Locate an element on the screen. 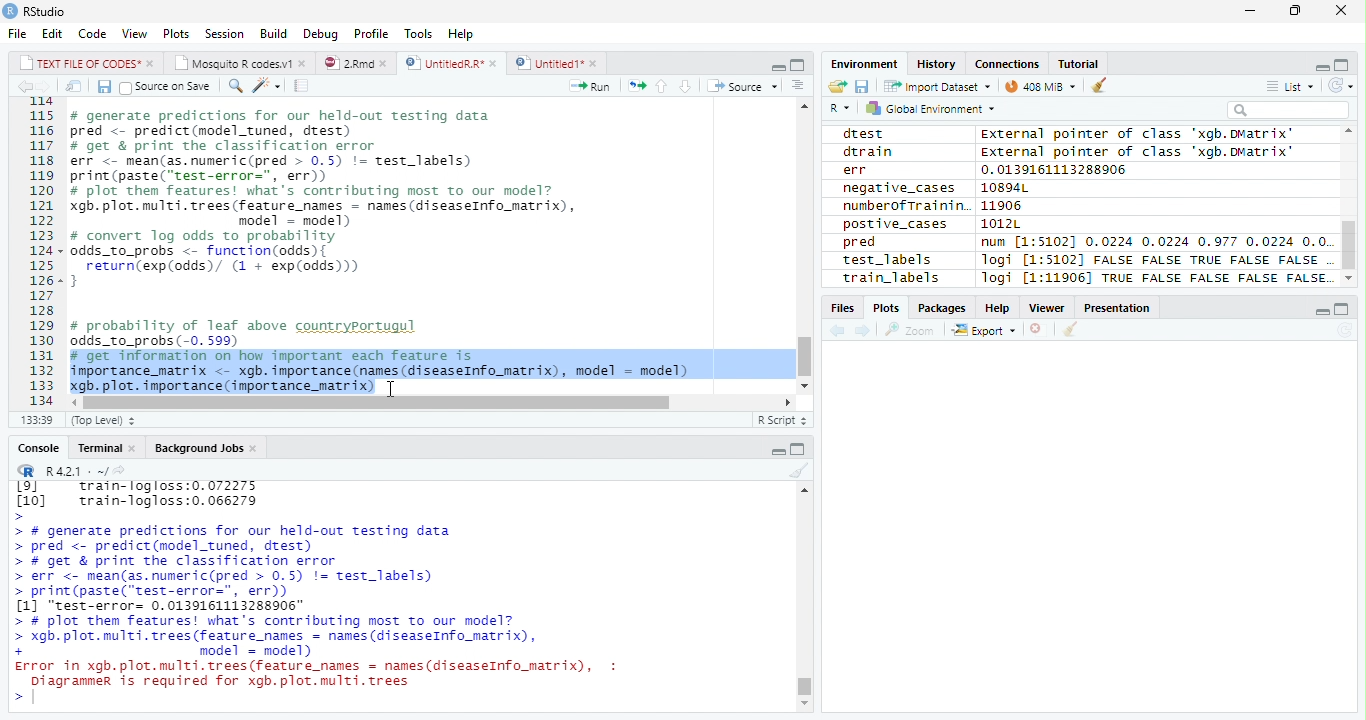  Find/Replace is located at coordinates (233, 85).